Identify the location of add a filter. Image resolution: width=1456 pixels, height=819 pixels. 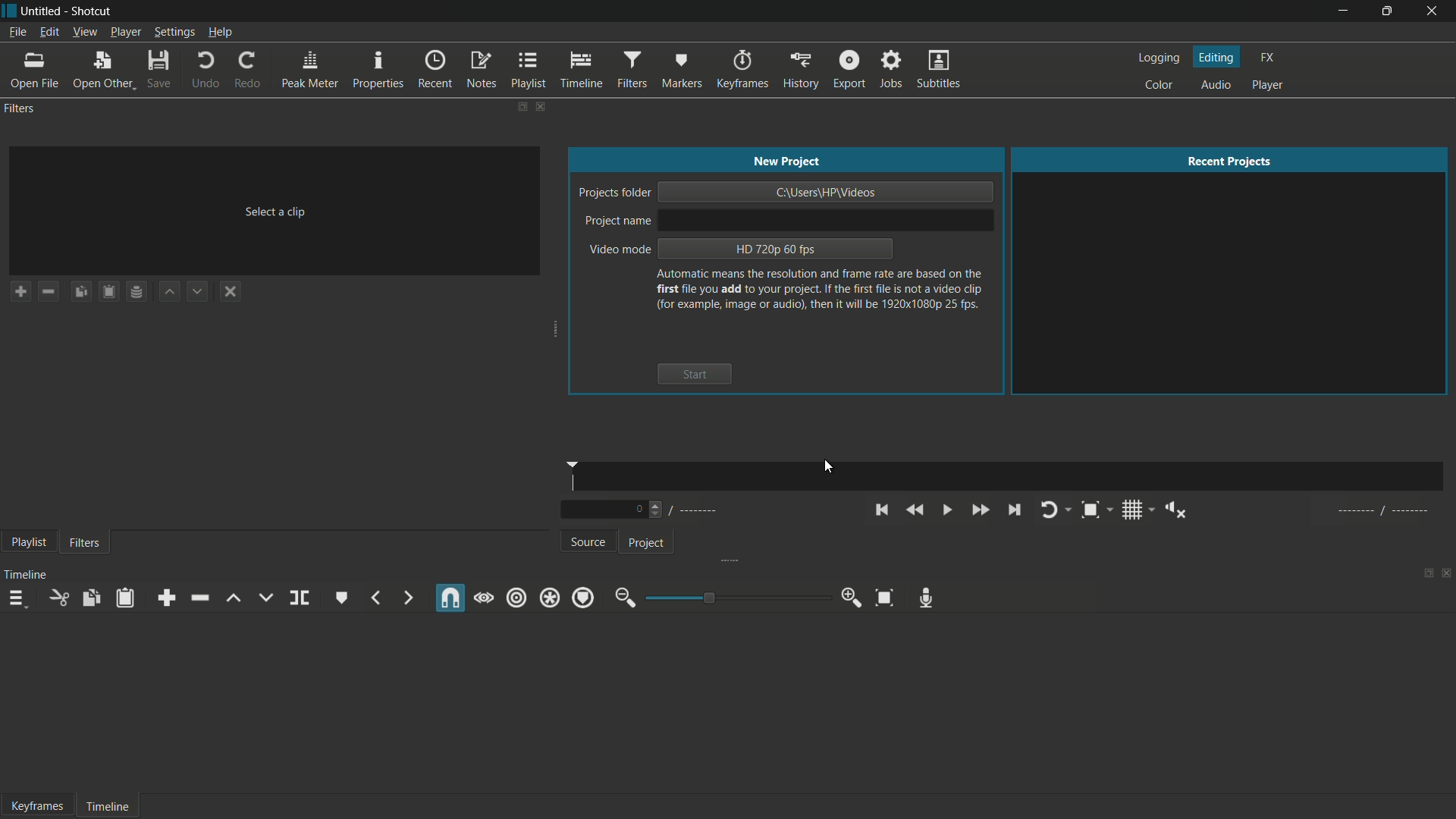
(20, 291).